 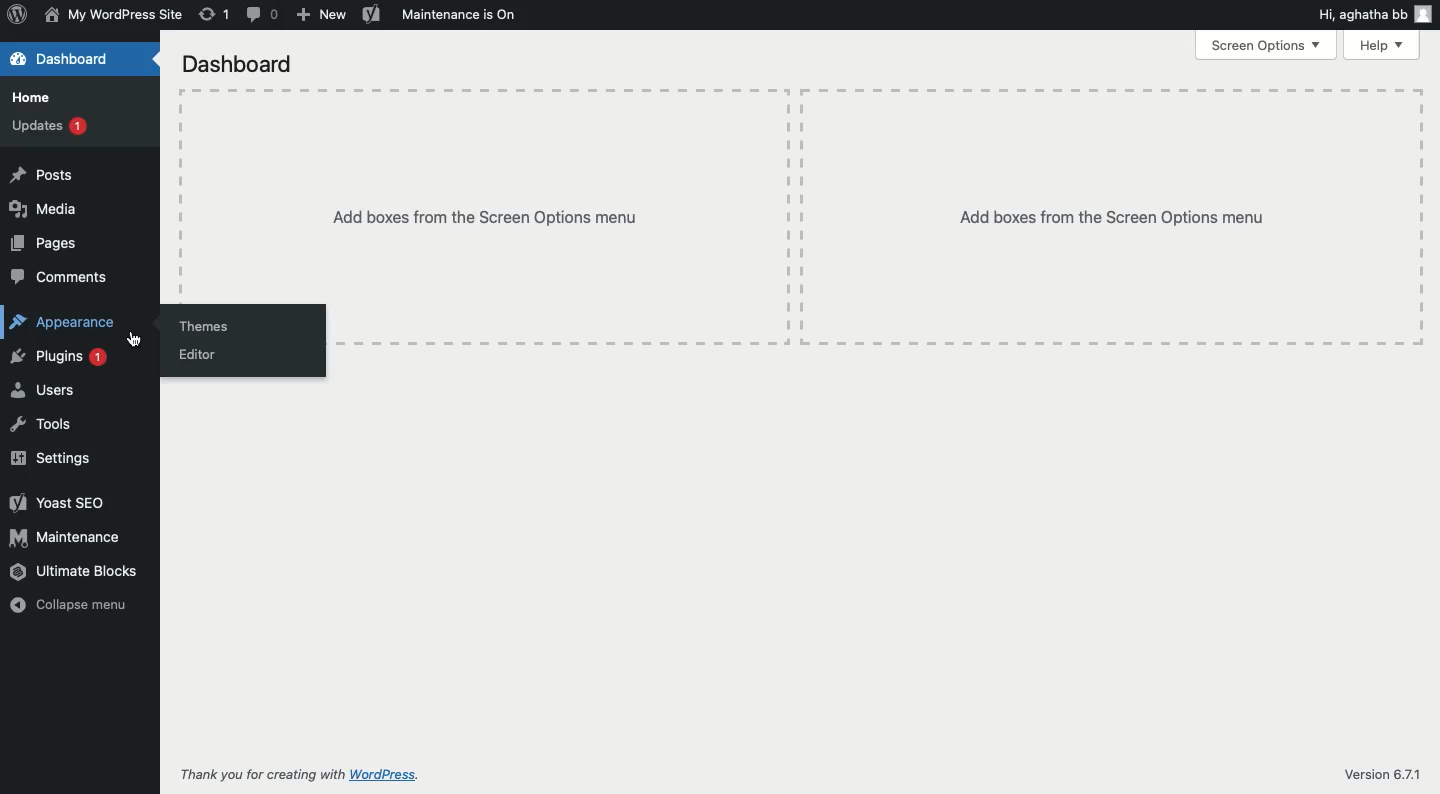 What do you see at coordinates (1376, 17) in the screenshot?
I see `Hi user` at bounding box center [1376, 17].